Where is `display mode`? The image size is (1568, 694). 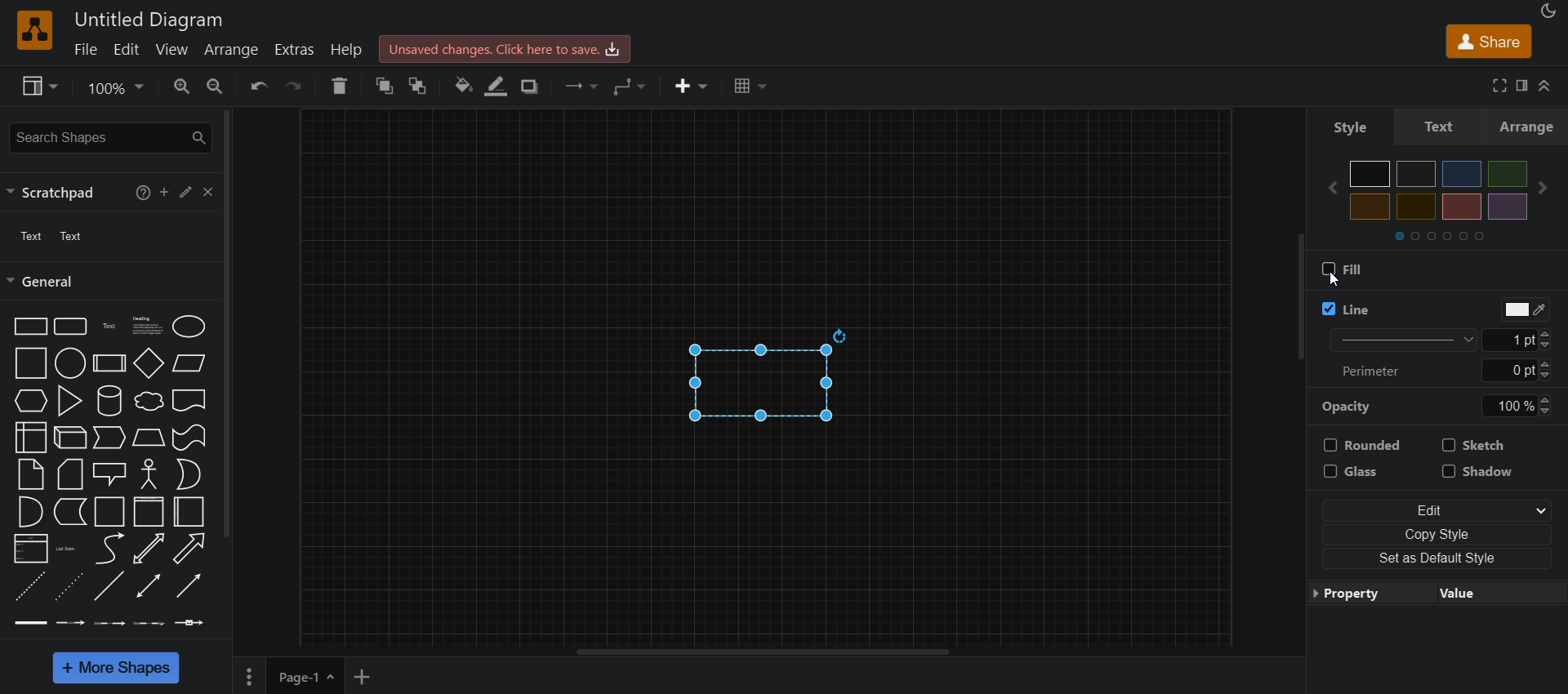
display mode is located at coordinates (1550, 11).